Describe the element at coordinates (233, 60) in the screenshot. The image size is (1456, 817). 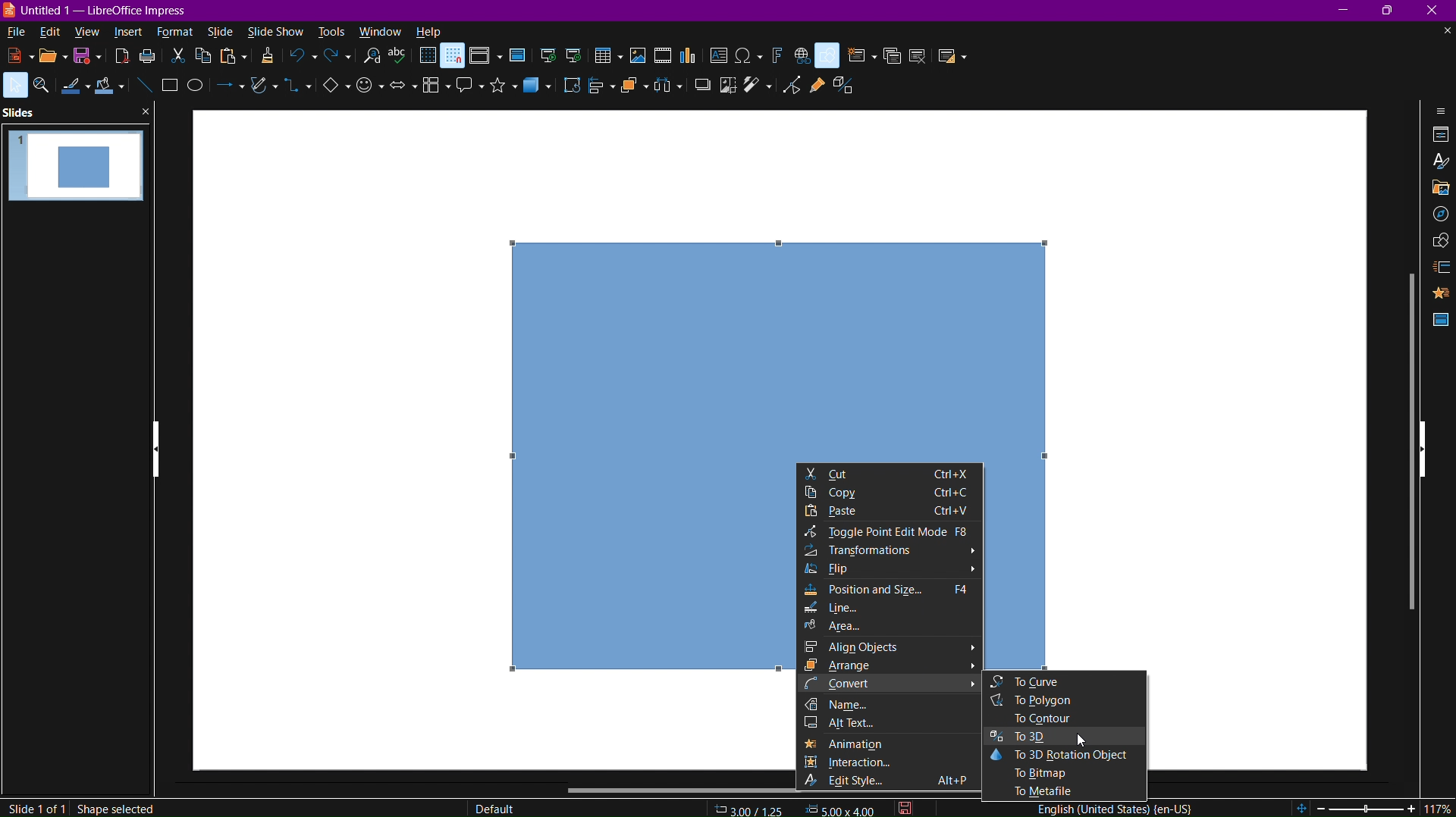
I see `Paste` at that location.